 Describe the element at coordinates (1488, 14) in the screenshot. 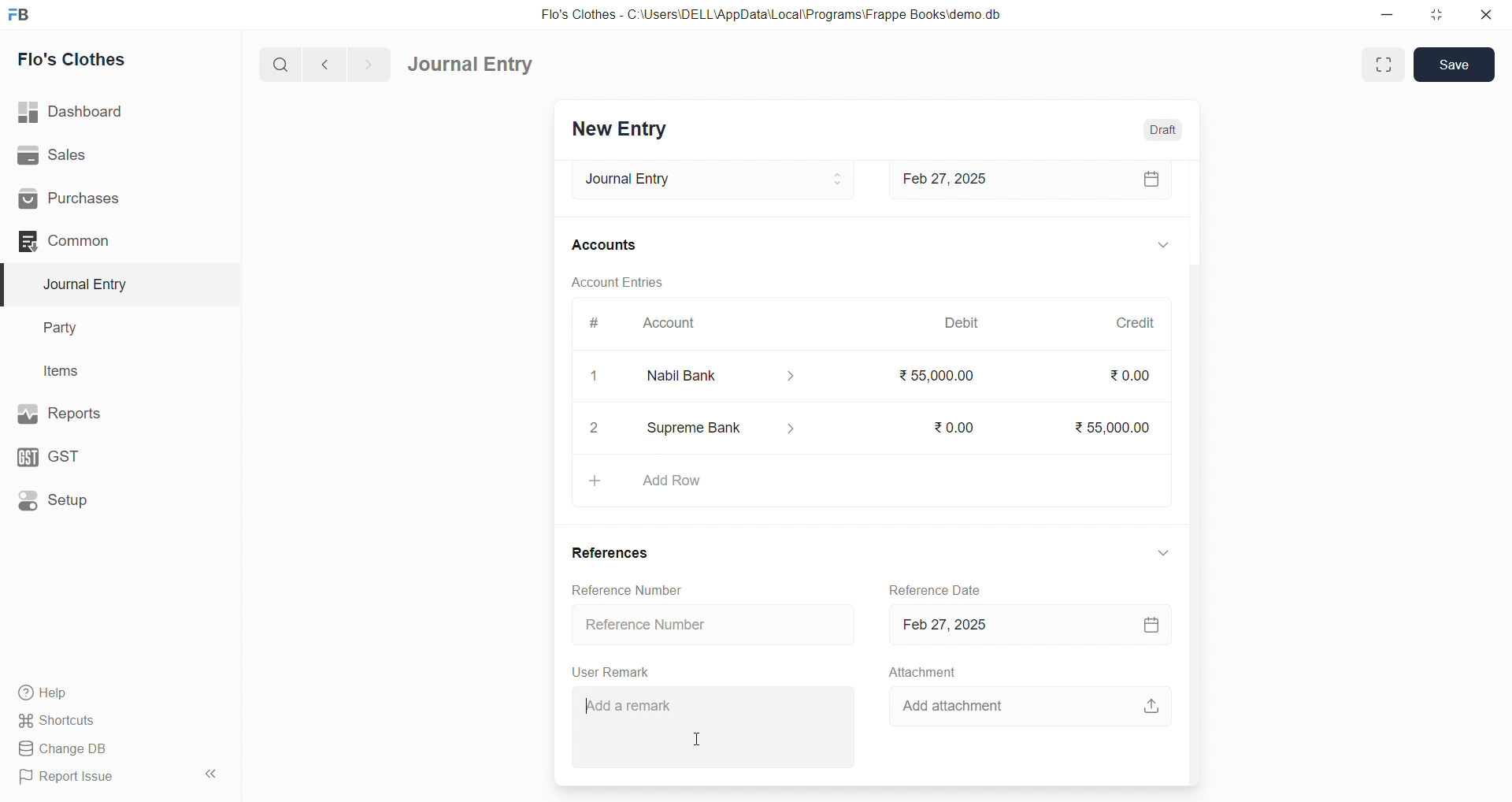

I see `close` at that location.